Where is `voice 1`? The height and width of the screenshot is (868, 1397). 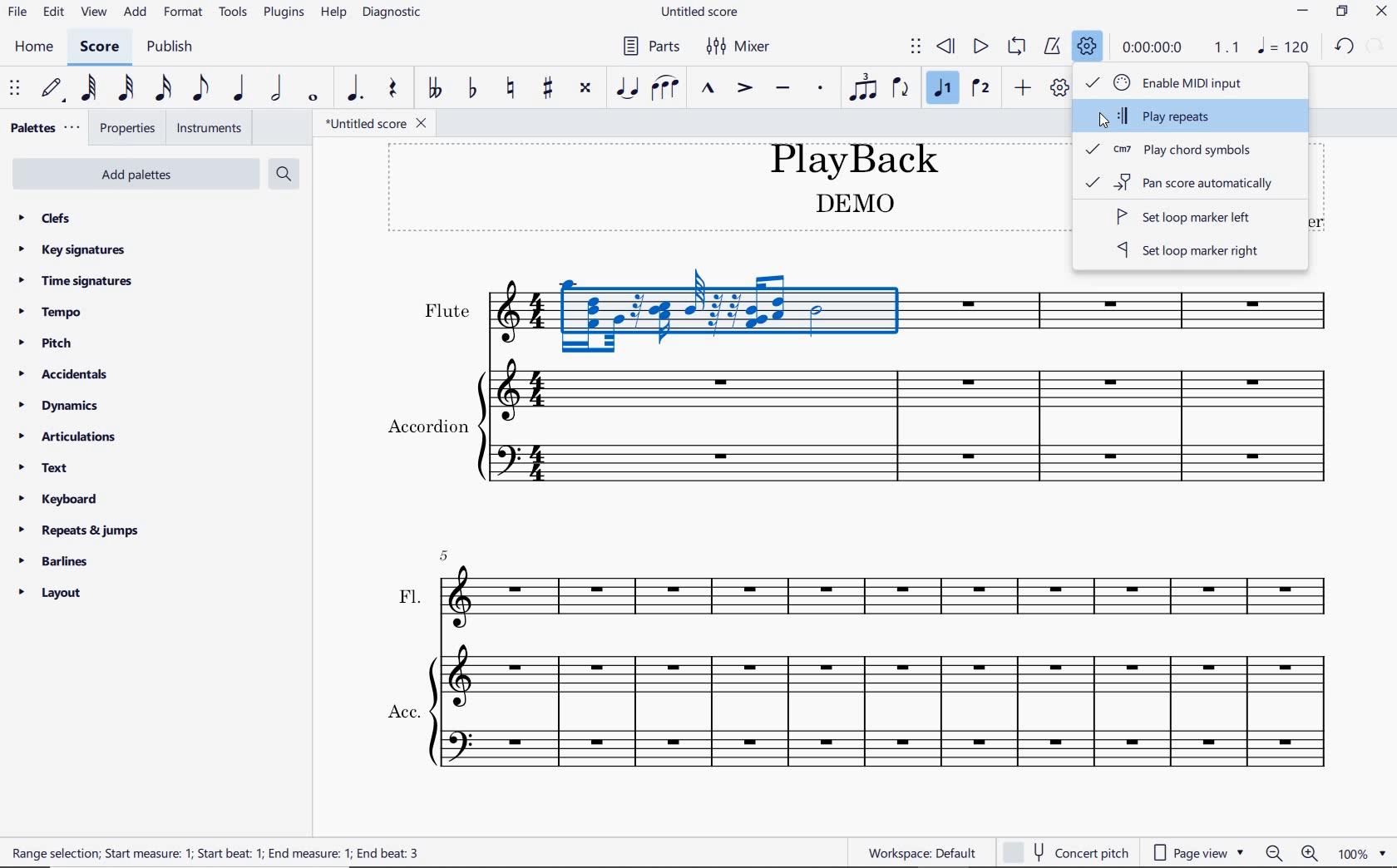
voice 1 is located at coordinates (941, 87).